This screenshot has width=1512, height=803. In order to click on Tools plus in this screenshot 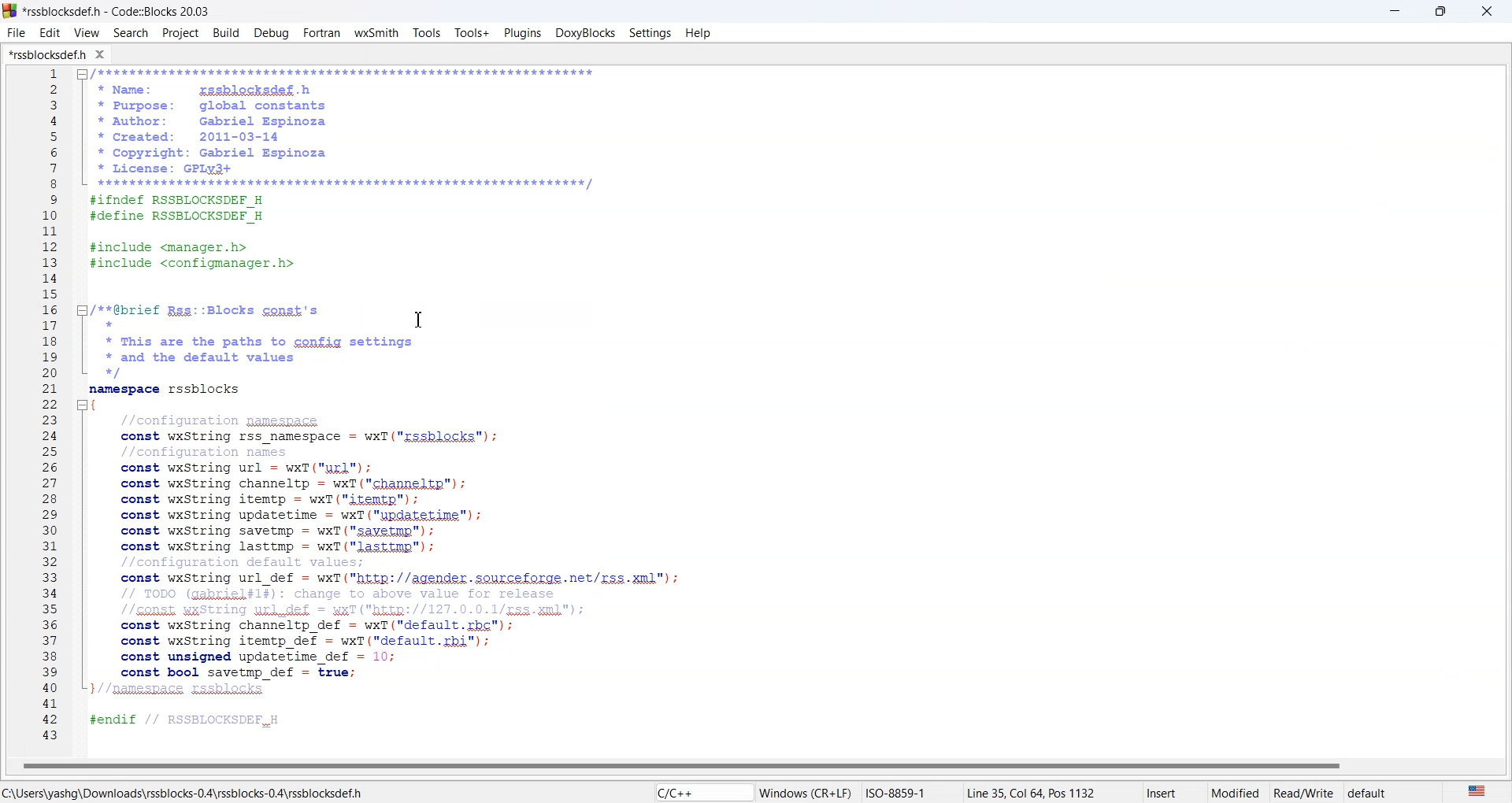, I will do `click(472, 34)`.